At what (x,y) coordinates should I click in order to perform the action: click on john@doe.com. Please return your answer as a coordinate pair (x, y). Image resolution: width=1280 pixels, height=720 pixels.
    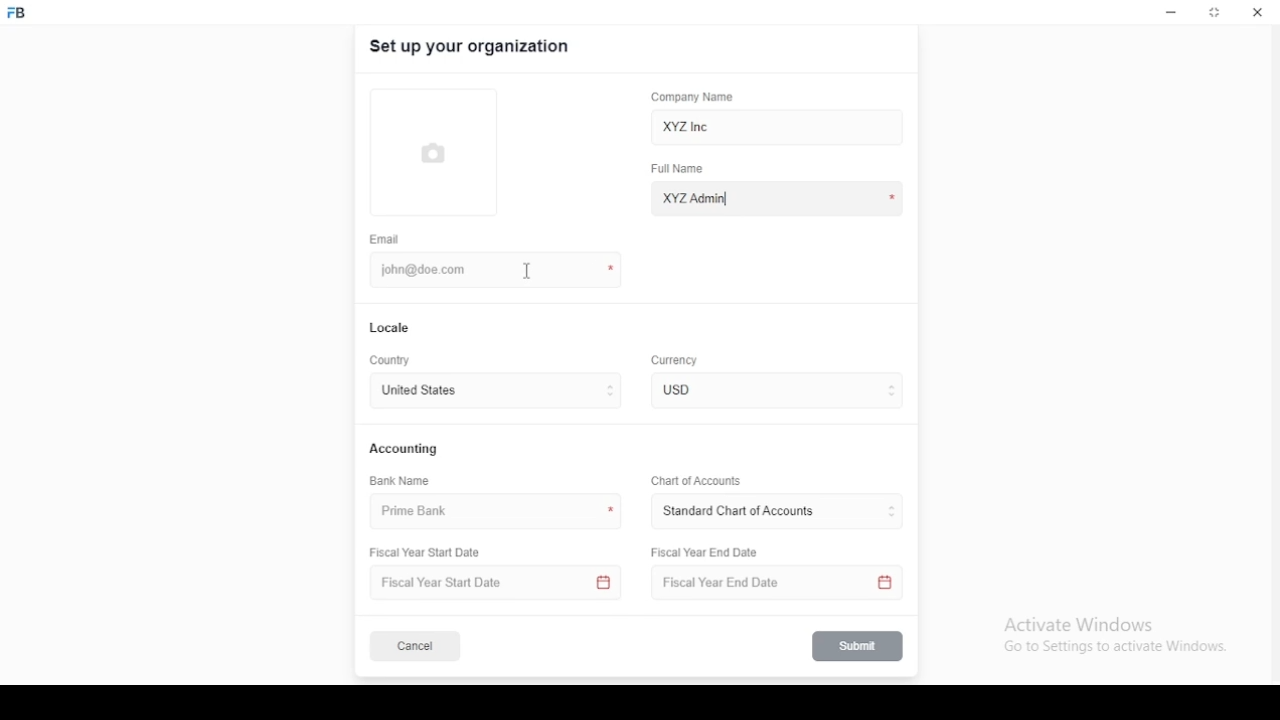
    Looking at the image, I should click on (485, 268).